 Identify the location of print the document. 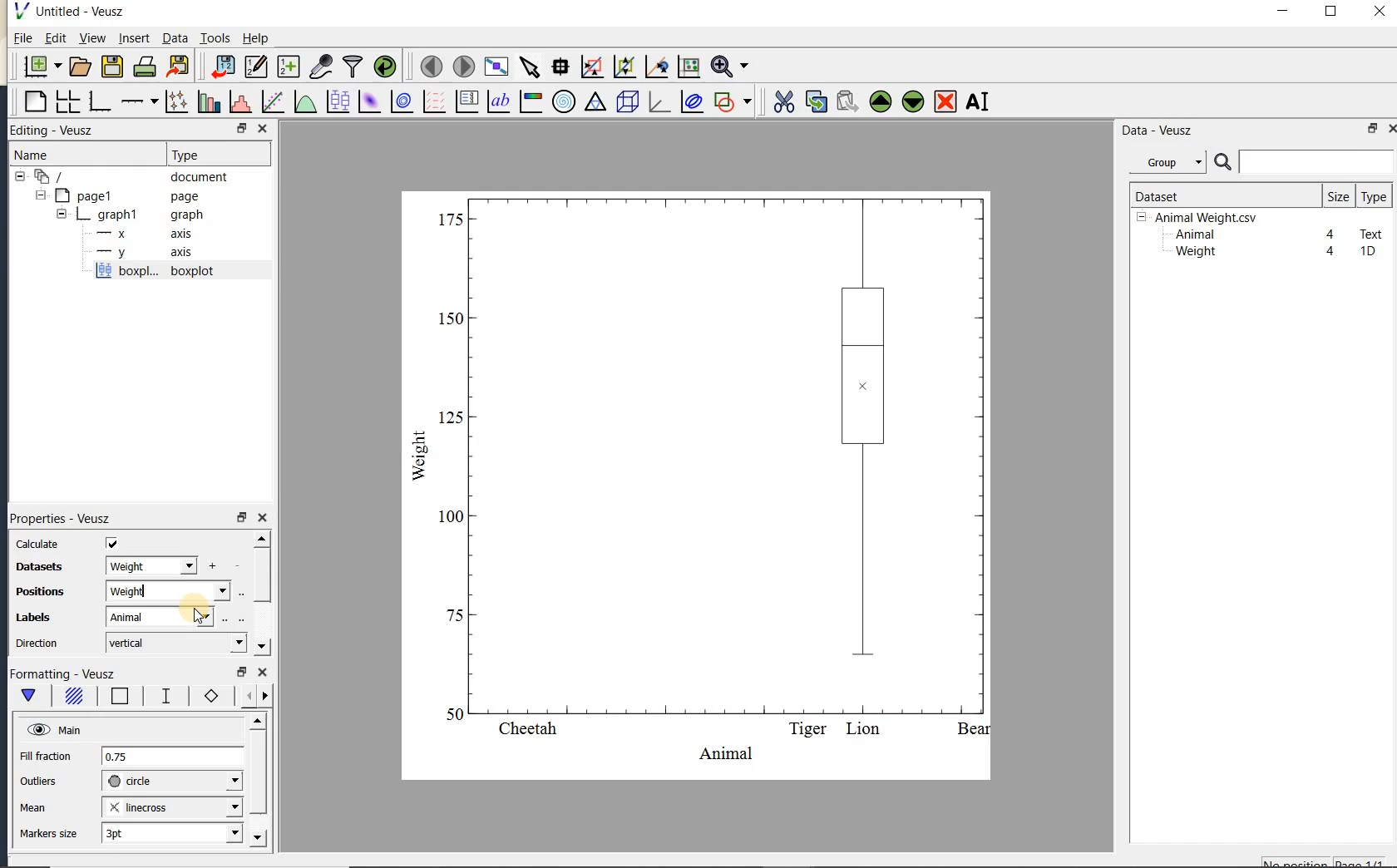
(145, 67).